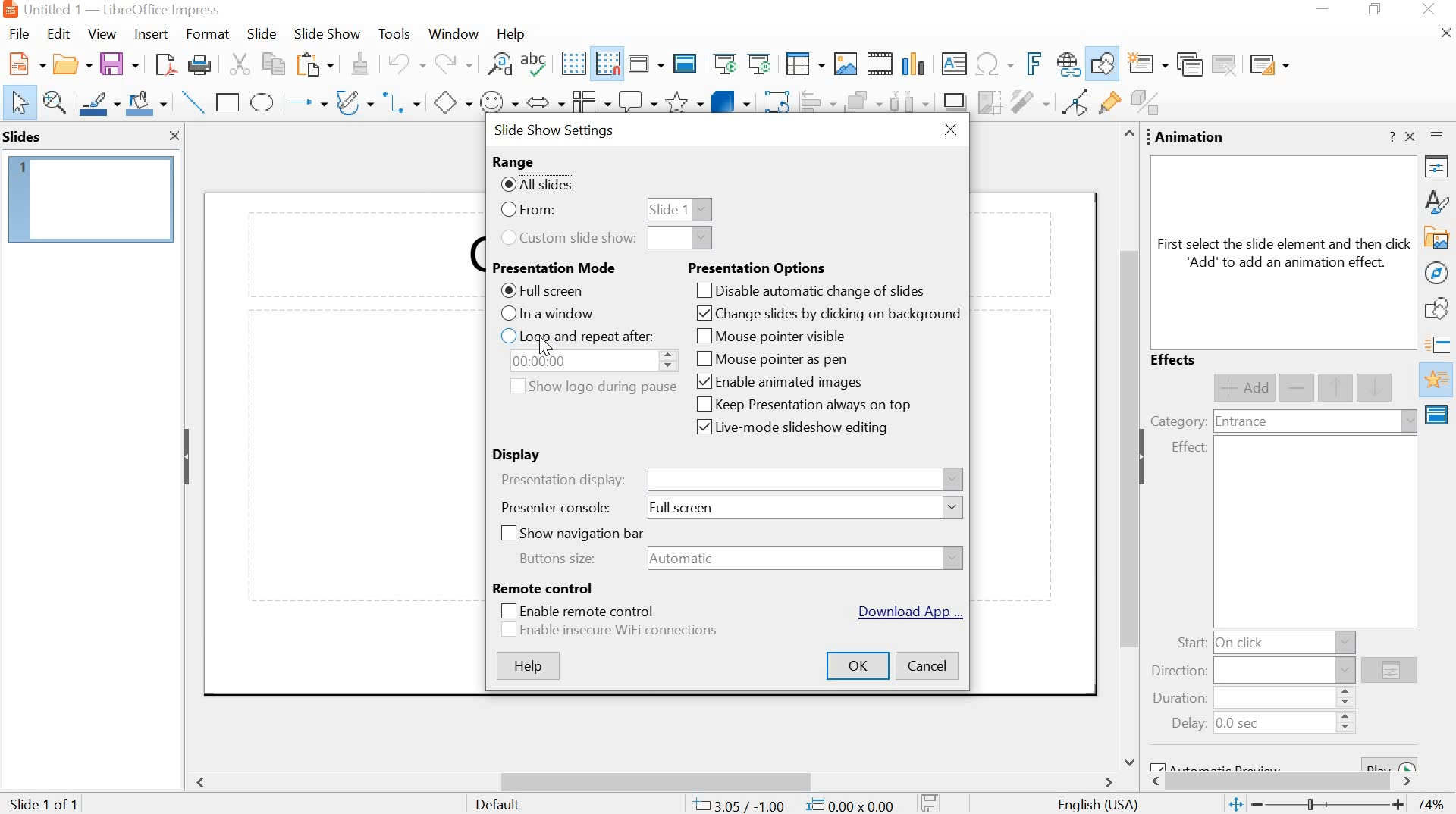 The height and width of the screenshot is (814, 1456). I want to click on connector, so click(402, 104).